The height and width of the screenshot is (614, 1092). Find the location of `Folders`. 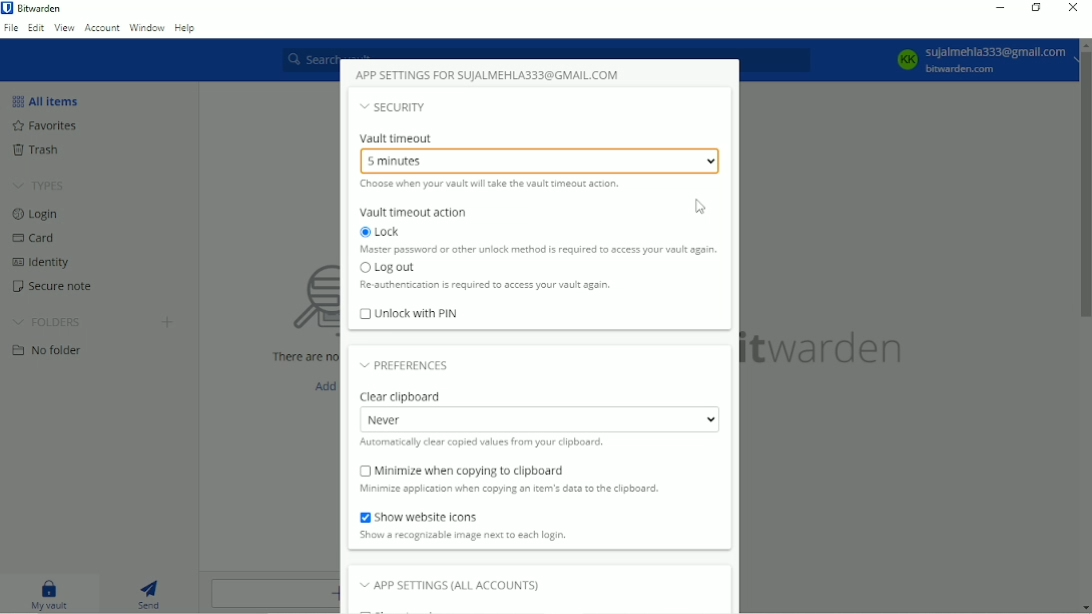

Folders is located at coordinates (47, 322).